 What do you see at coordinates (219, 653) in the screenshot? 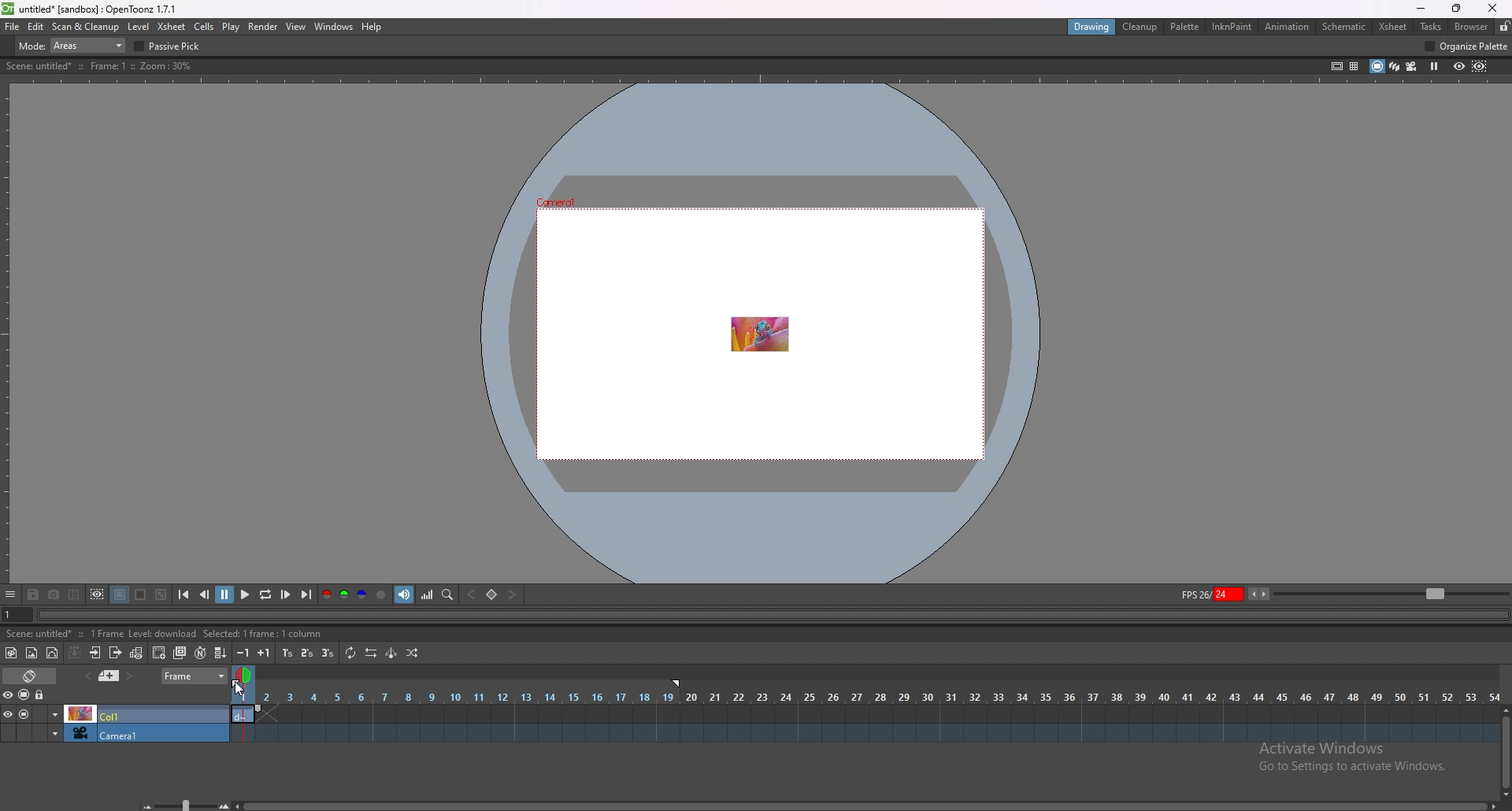
I see `fill in empty cells` at bounding box center [219, 653].